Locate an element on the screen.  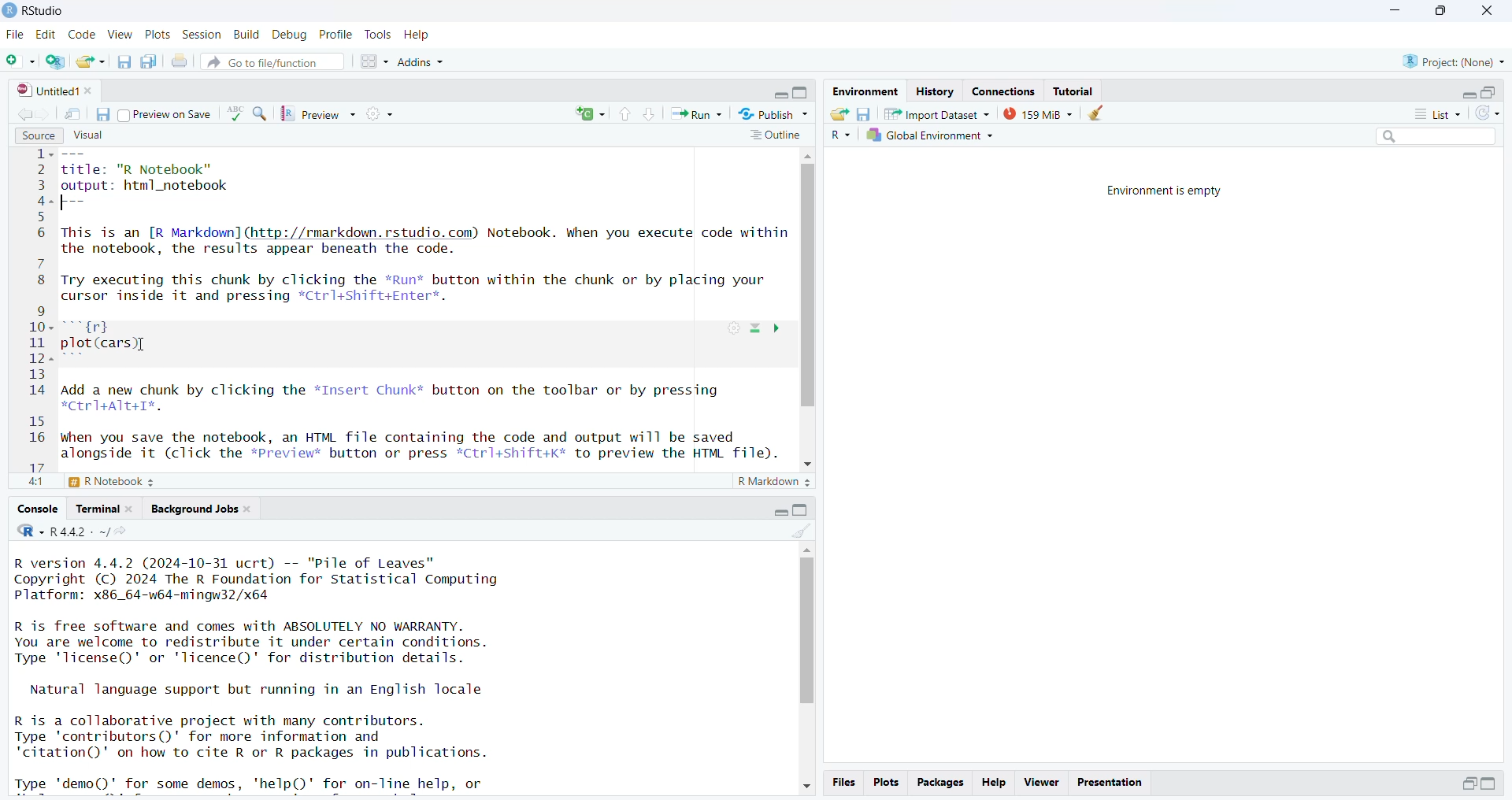
help is located at coordinates (418, 35).